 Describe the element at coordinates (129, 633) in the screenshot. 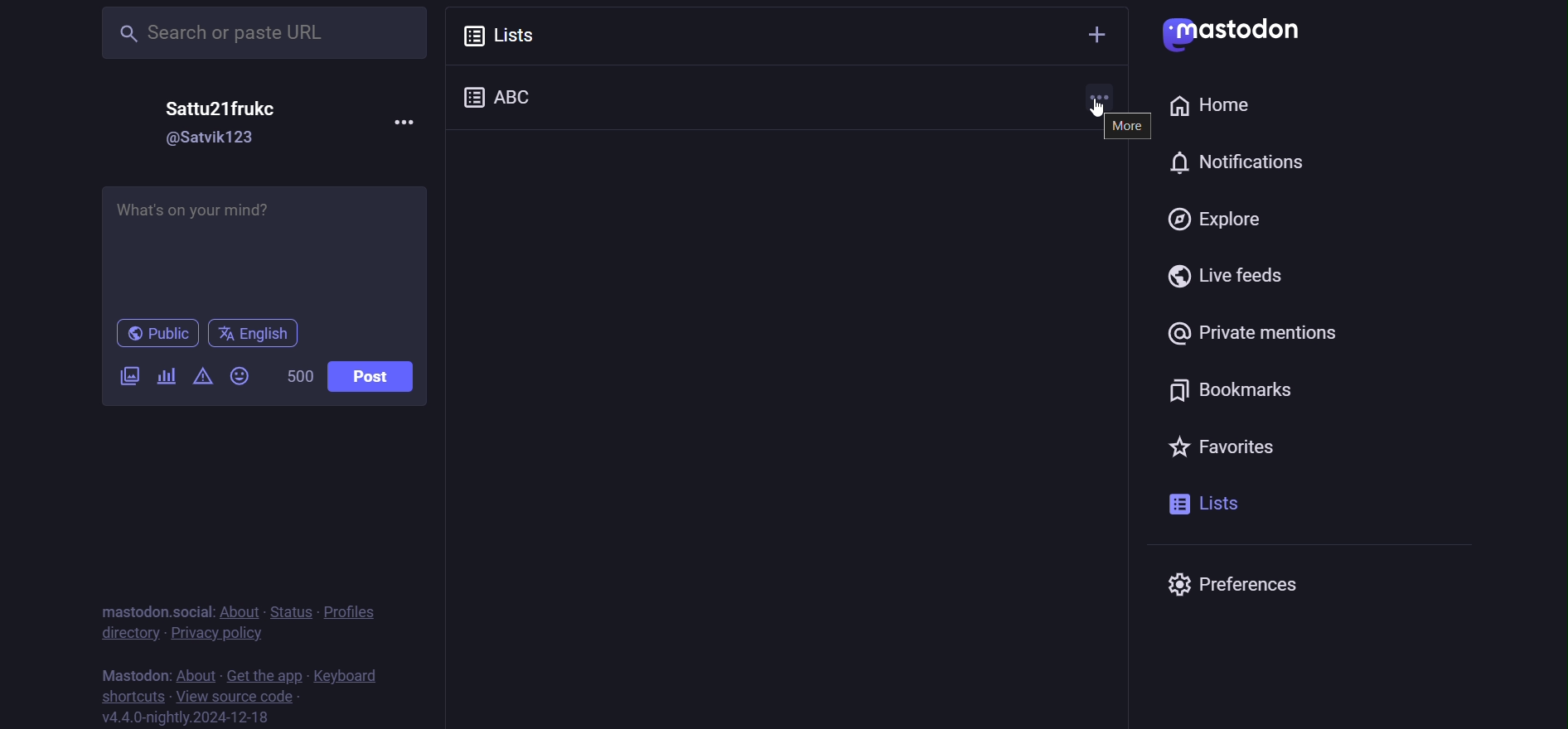

I see `directory` at that location.